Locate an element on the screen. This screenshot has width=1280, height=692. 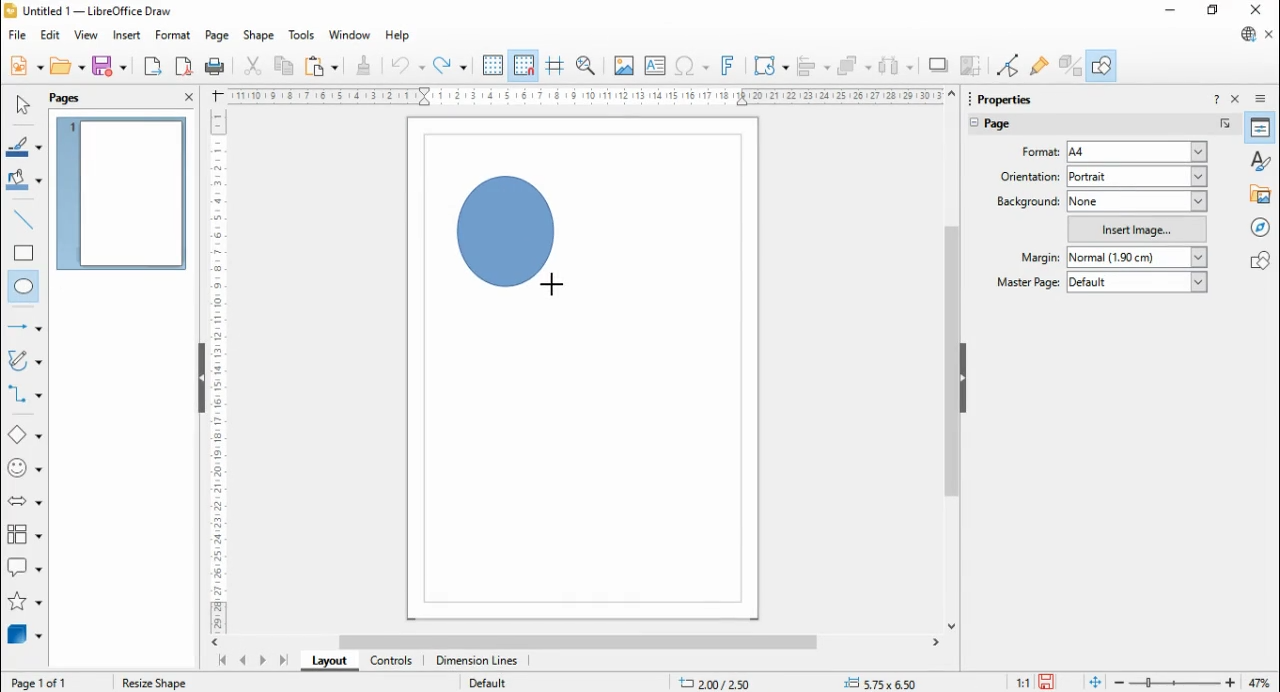
insert image is located at coordinates (1138, 228).